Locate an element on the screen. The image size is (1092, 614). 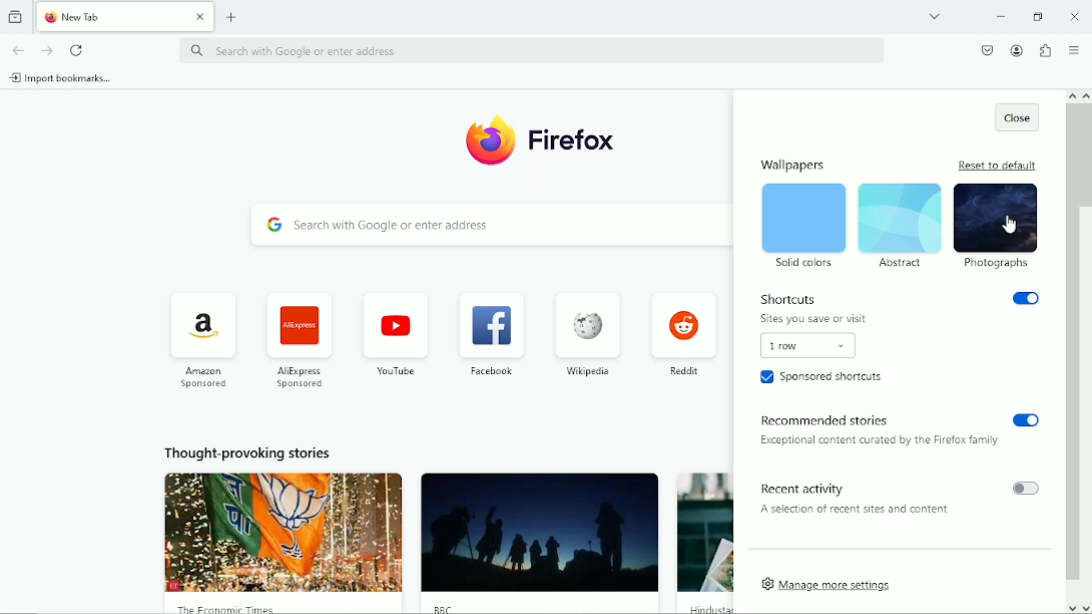
close is located at coordinates (200, 17).